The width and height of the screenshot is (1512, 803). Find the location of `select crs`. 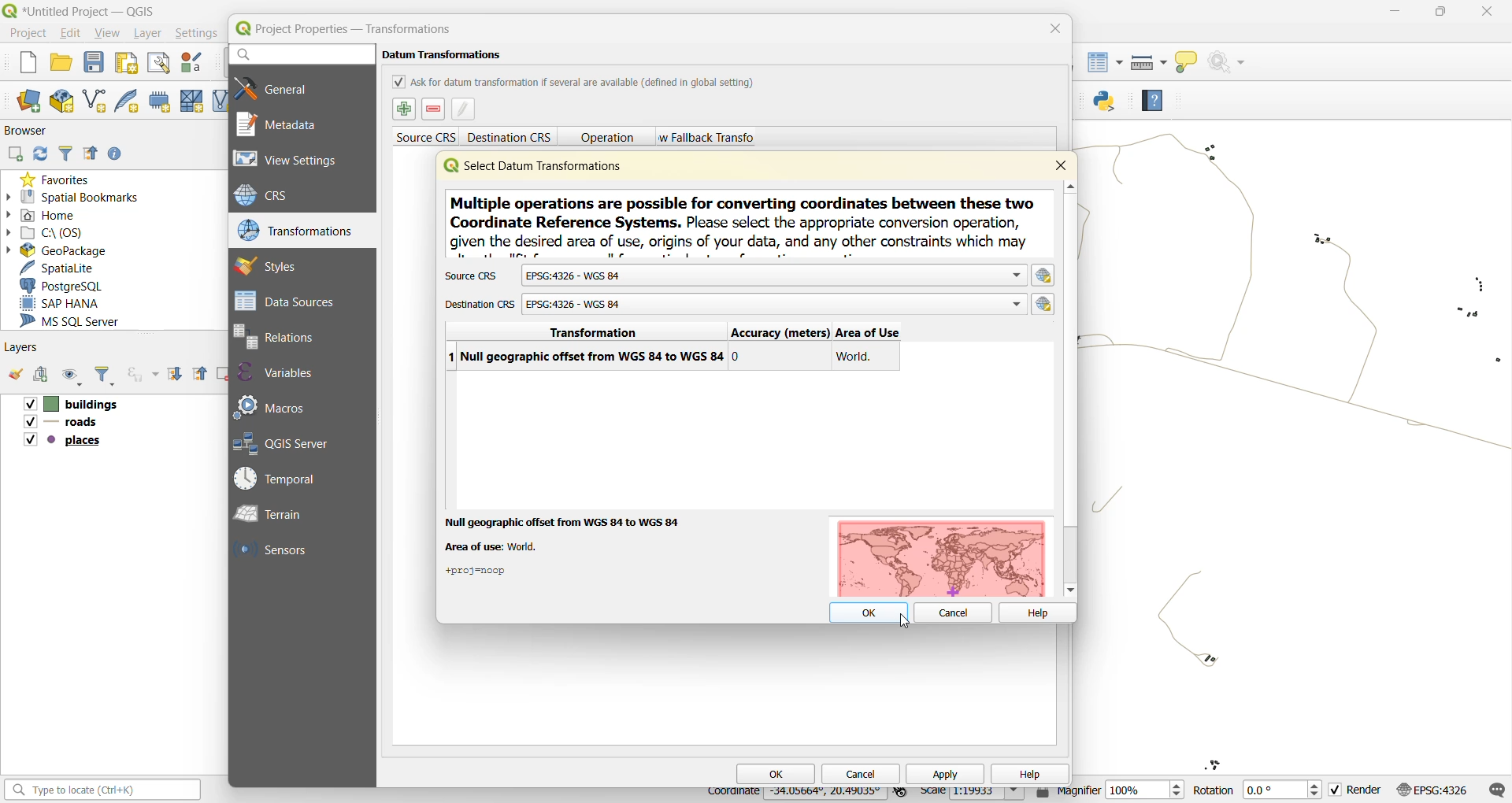

select crs is located at coordinates (1043, 276).